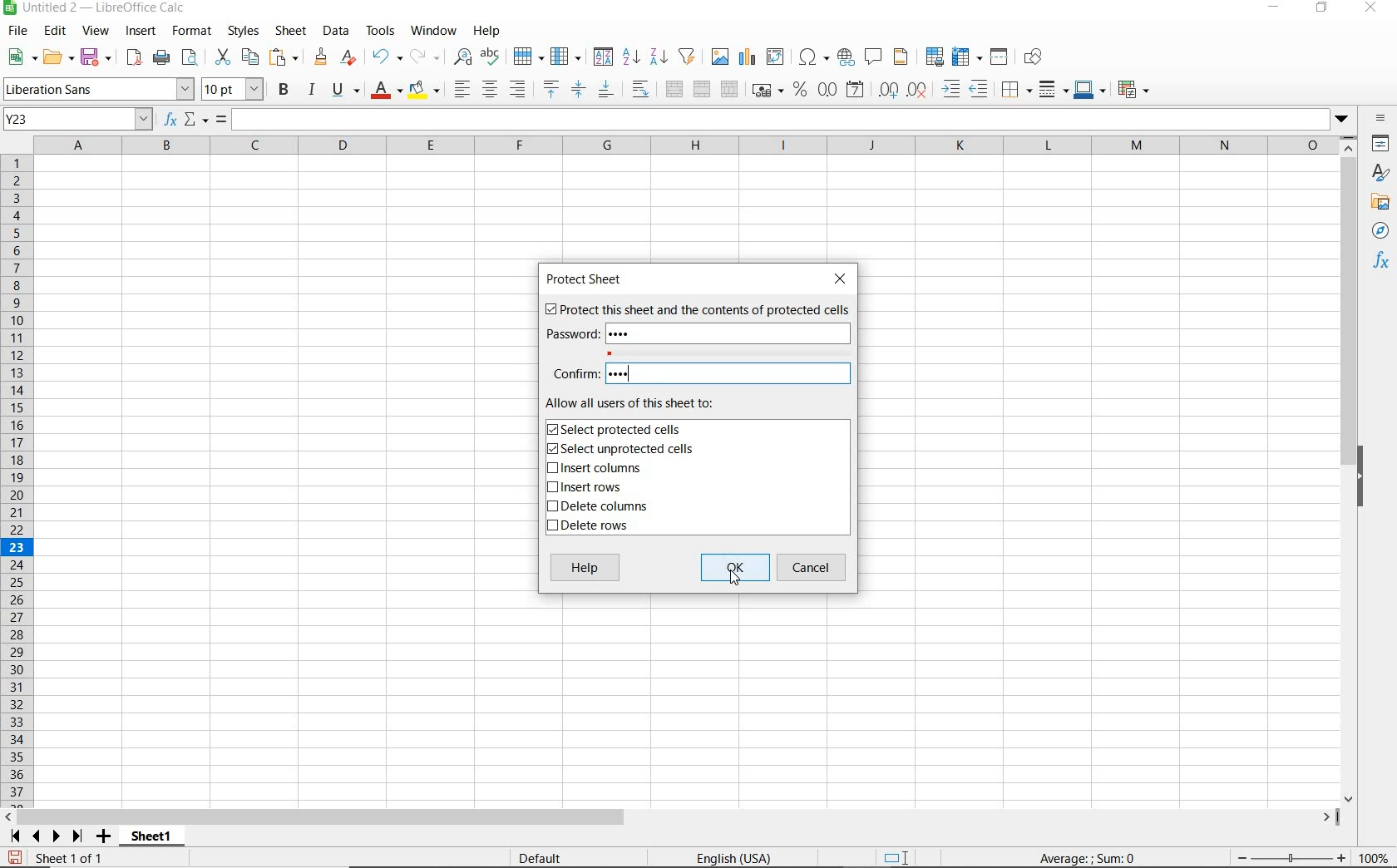 This screenshot has width=1397, height=868. What do you see at coordinates (78, 120) in the screenshot?
I see `NAME BOX` at bounding box center [78, 120].